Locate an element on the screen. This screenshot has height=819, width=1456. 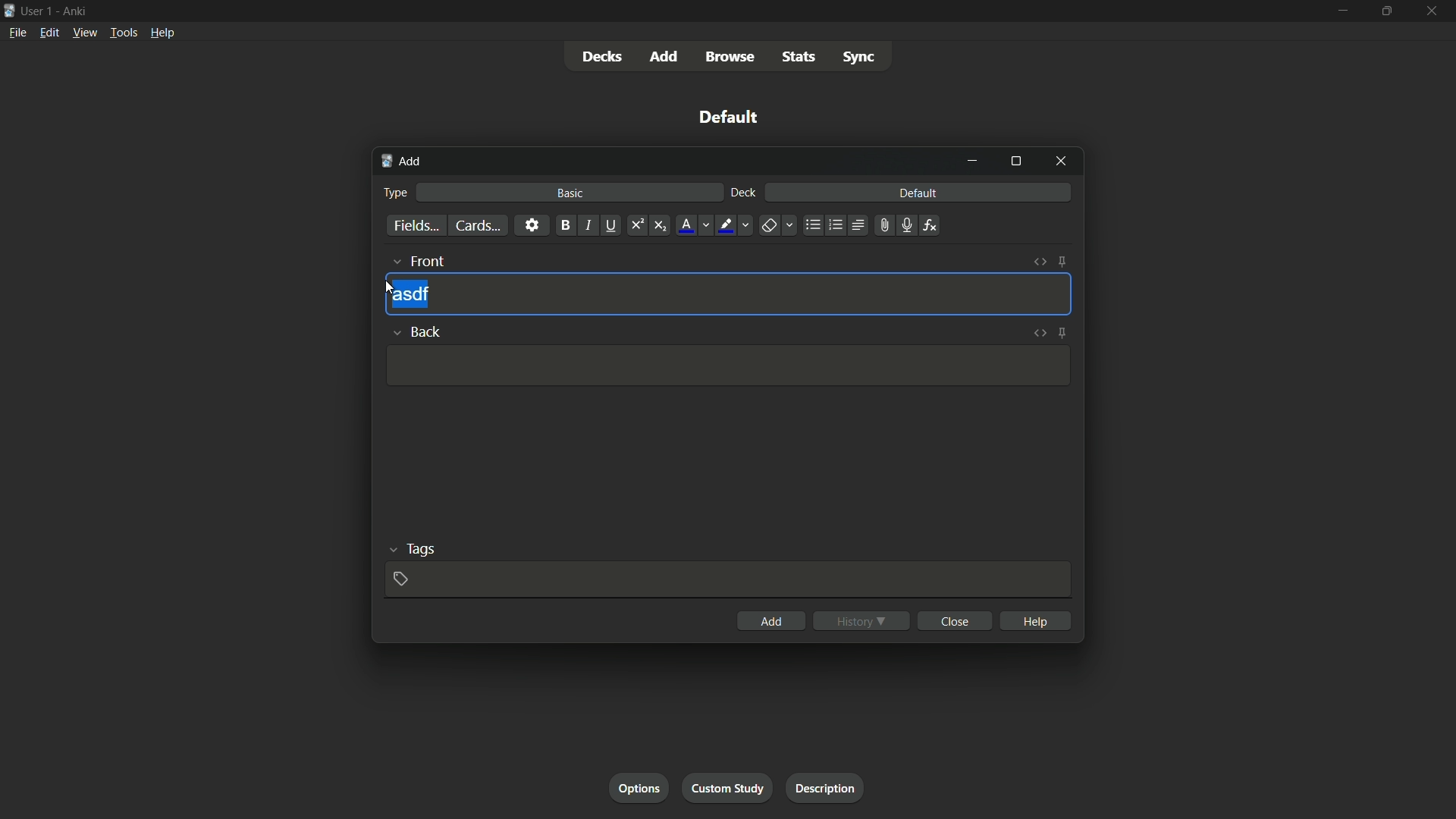
remove formatting is located at coordinates (776, 225).